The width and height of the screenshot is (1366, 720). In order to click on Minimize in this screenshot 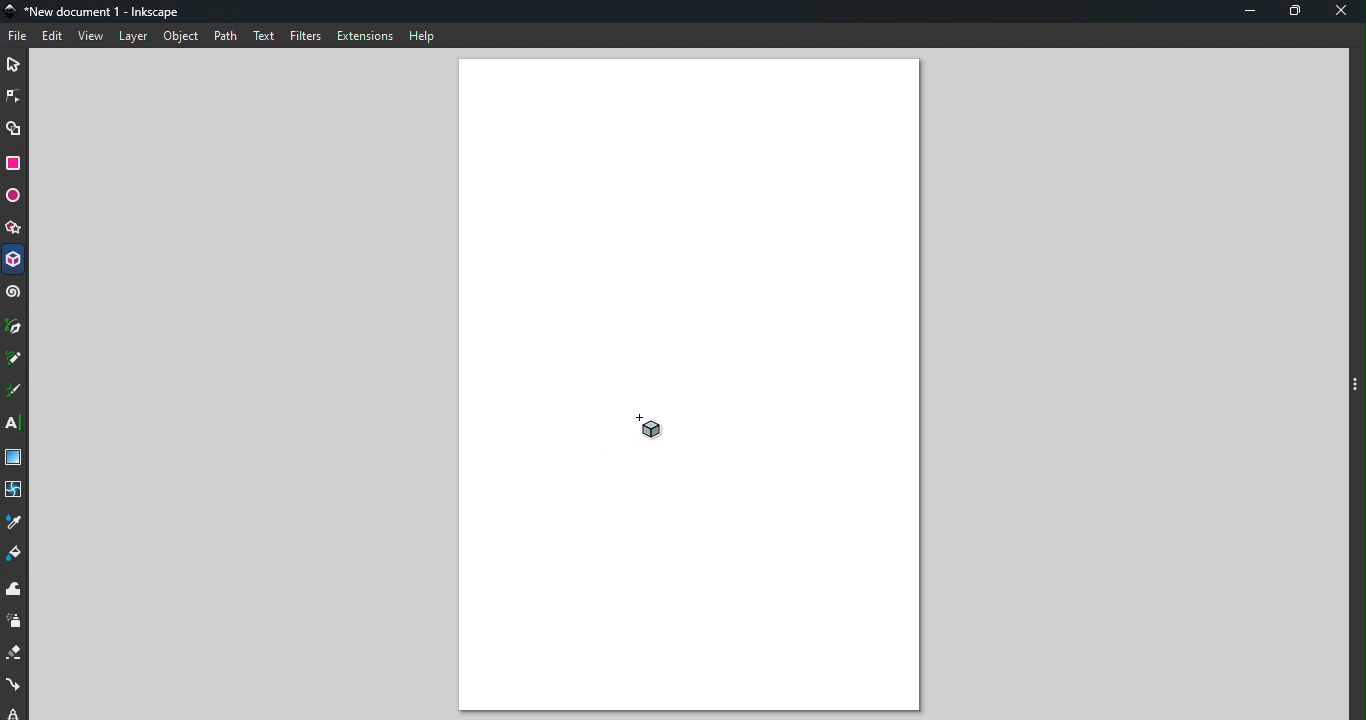, I will do `click(1250, 12)`.